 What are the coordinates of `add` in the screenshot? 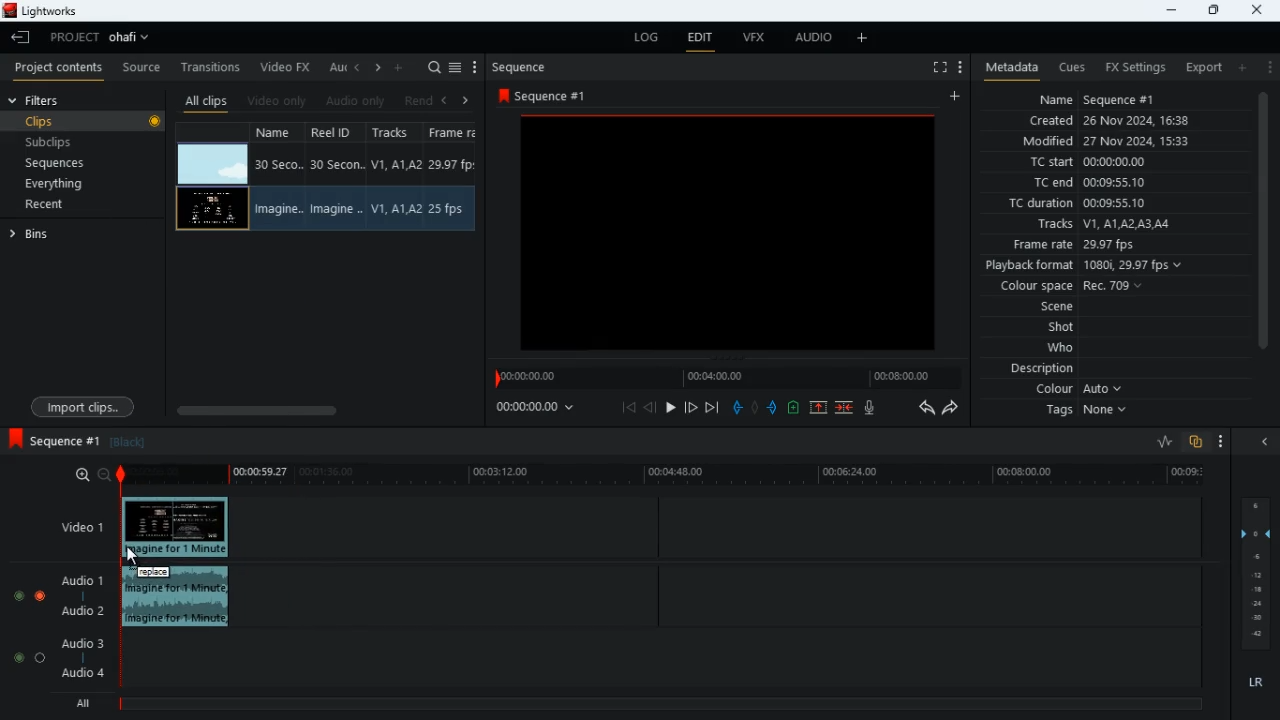 It's located at (957, 97).